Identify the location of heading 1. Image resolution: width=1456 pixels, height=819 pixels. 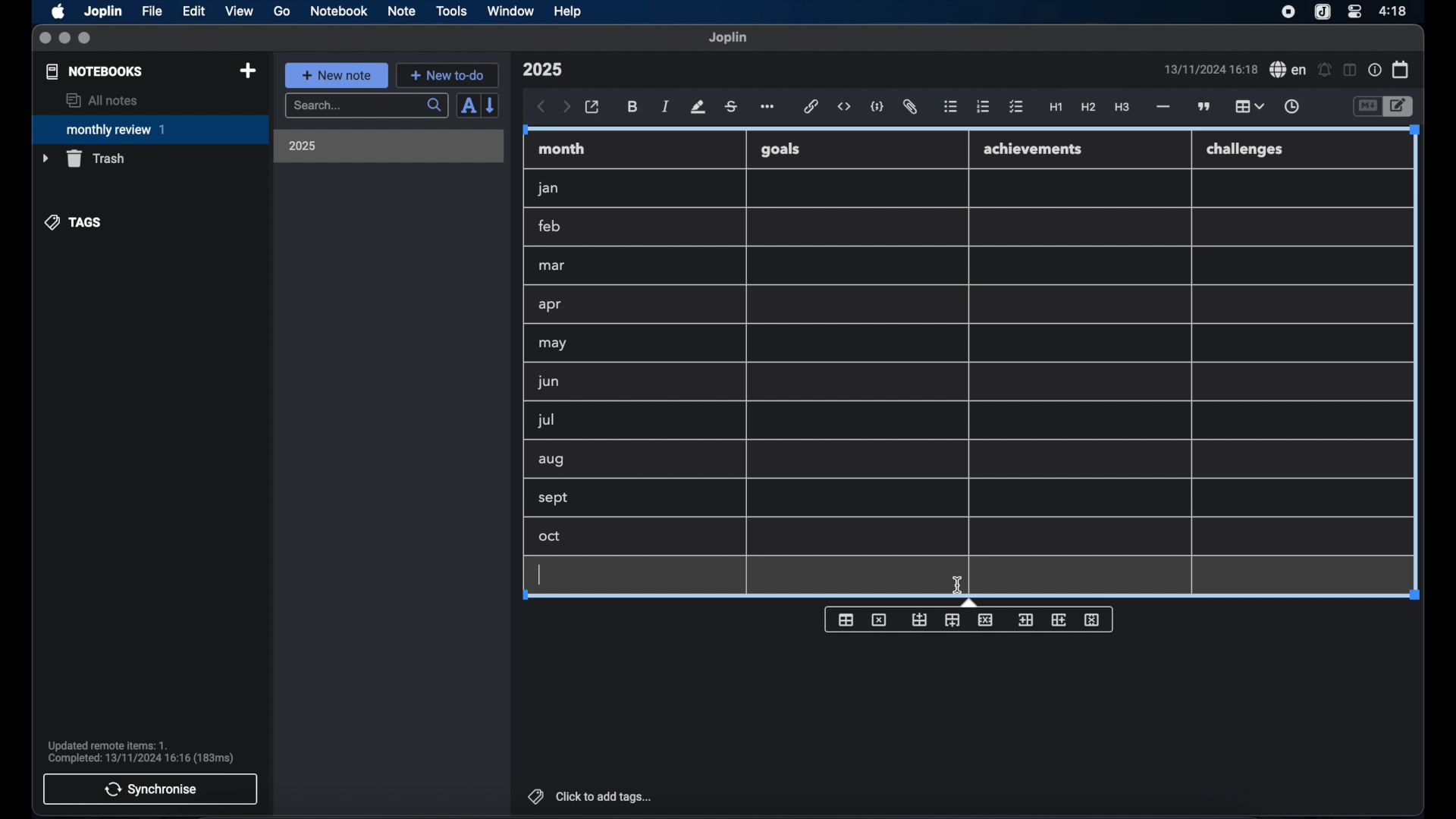
(1056, 108).